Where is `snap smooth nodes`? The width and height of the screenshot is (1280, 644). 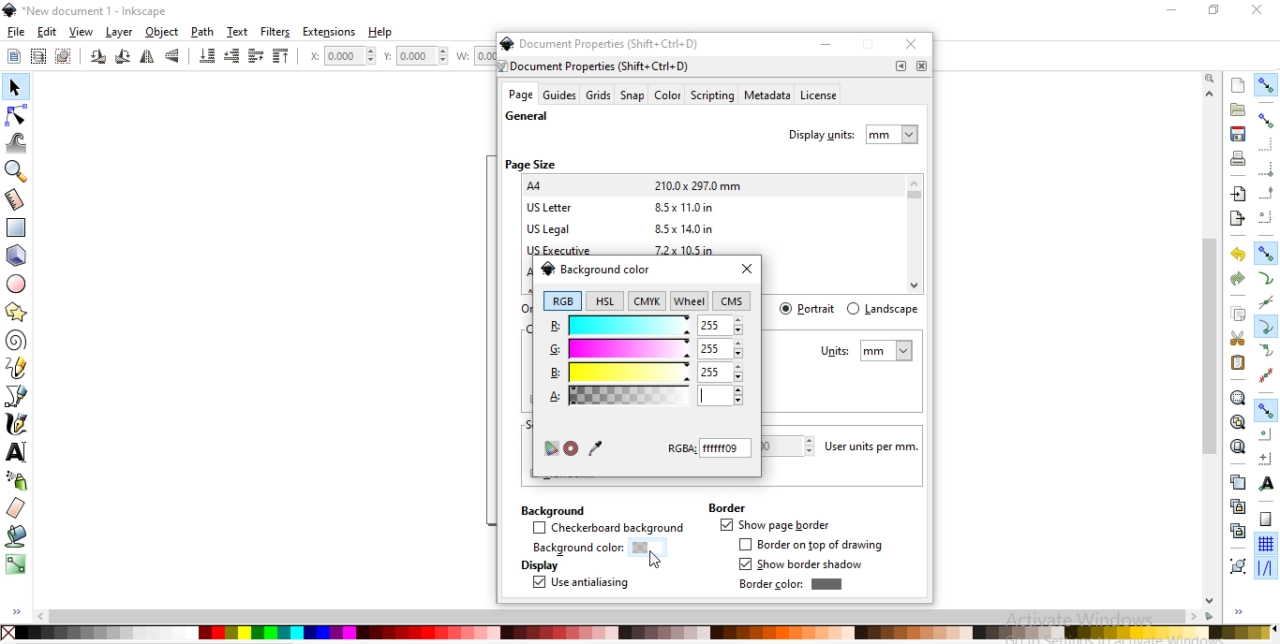 snap smooth nodes is located at coordinates (1264, 351).